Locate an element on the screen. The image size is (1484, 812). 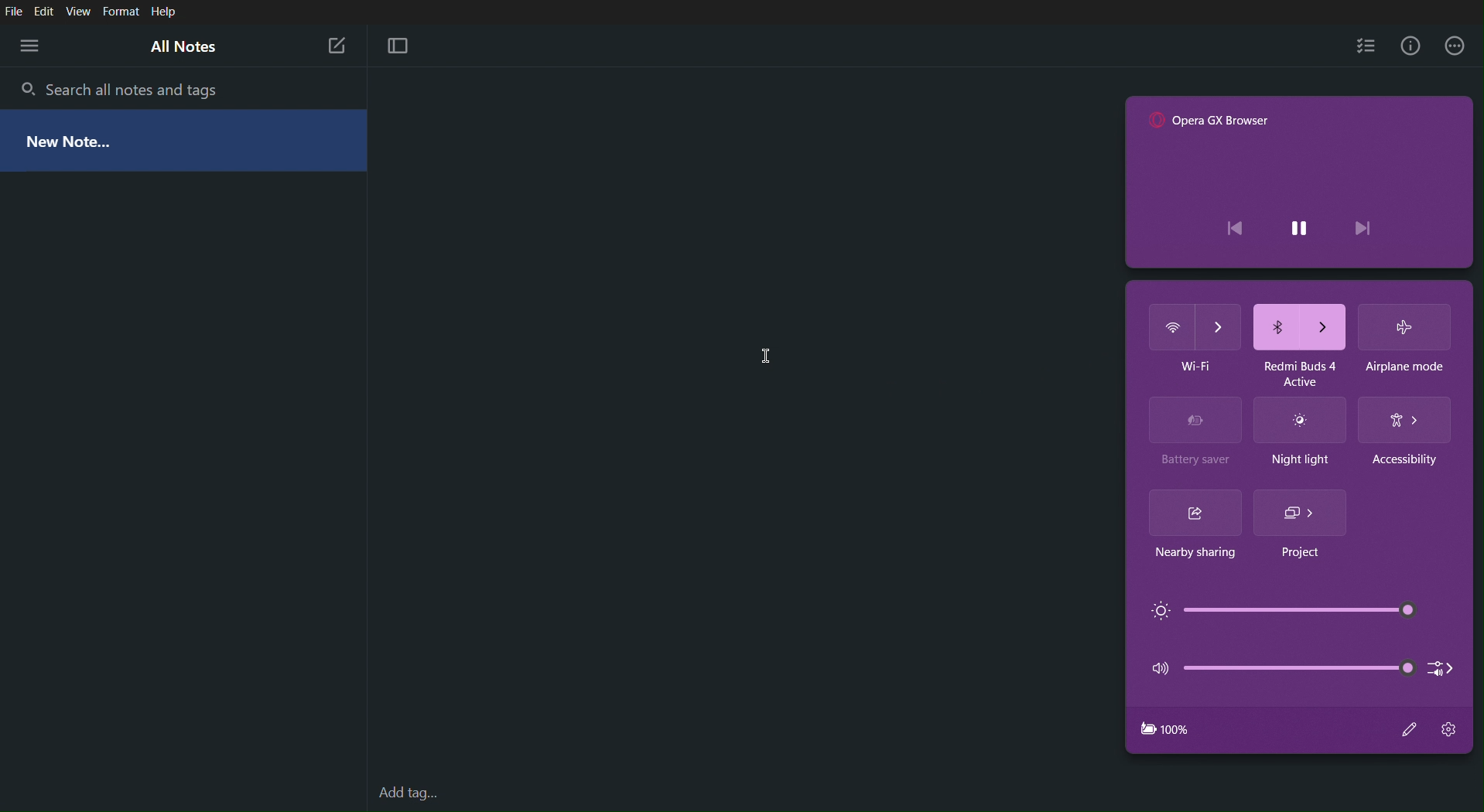
Airplane mode is located at coordinates (1405, 367).